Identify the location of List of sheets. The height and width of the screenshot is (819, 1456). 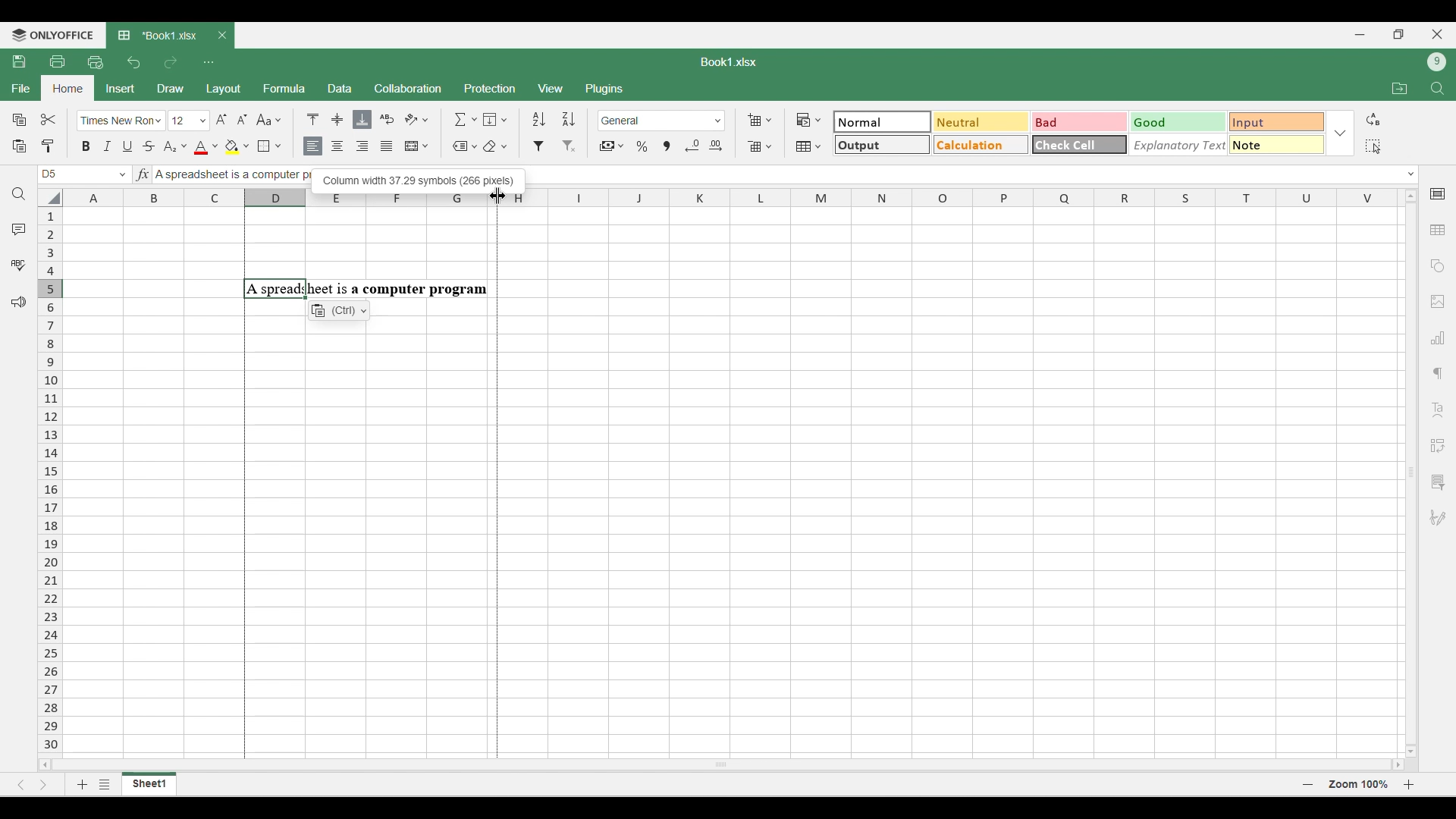
(105, 784).